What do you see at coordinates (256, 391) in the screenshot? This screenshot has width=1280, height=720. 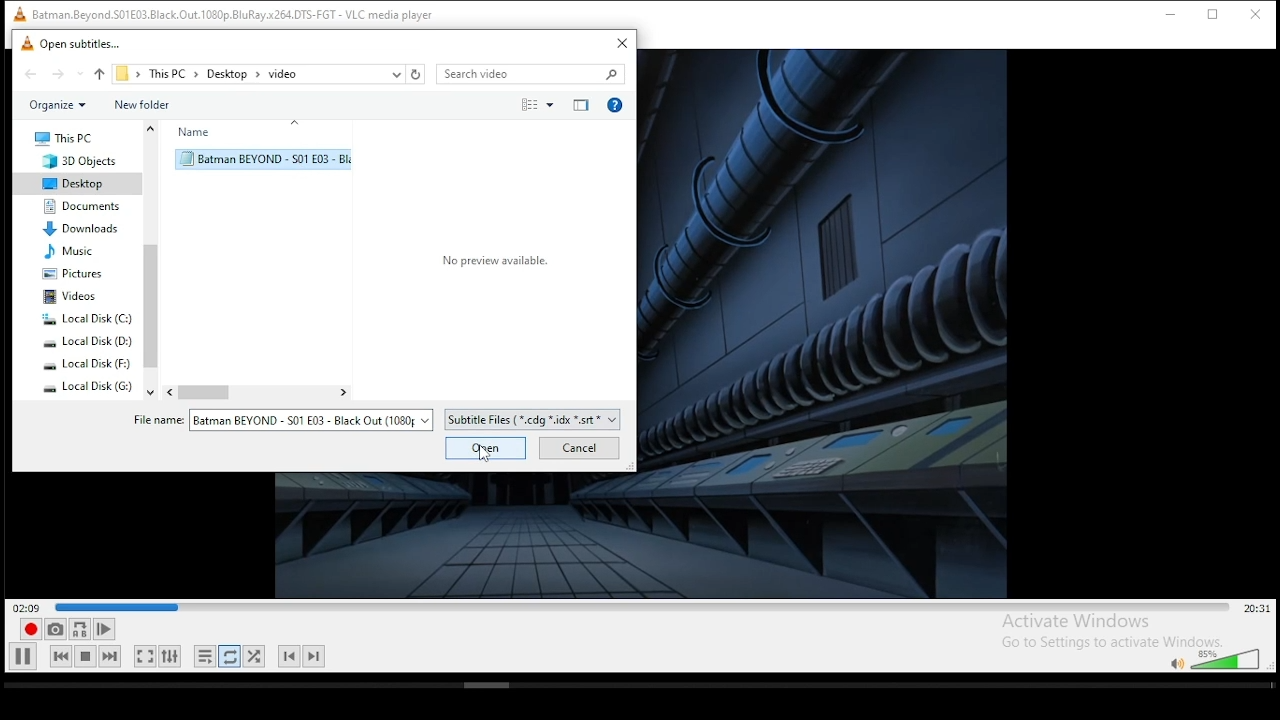 I see `scroll bar` at bounding box center [256, 391].